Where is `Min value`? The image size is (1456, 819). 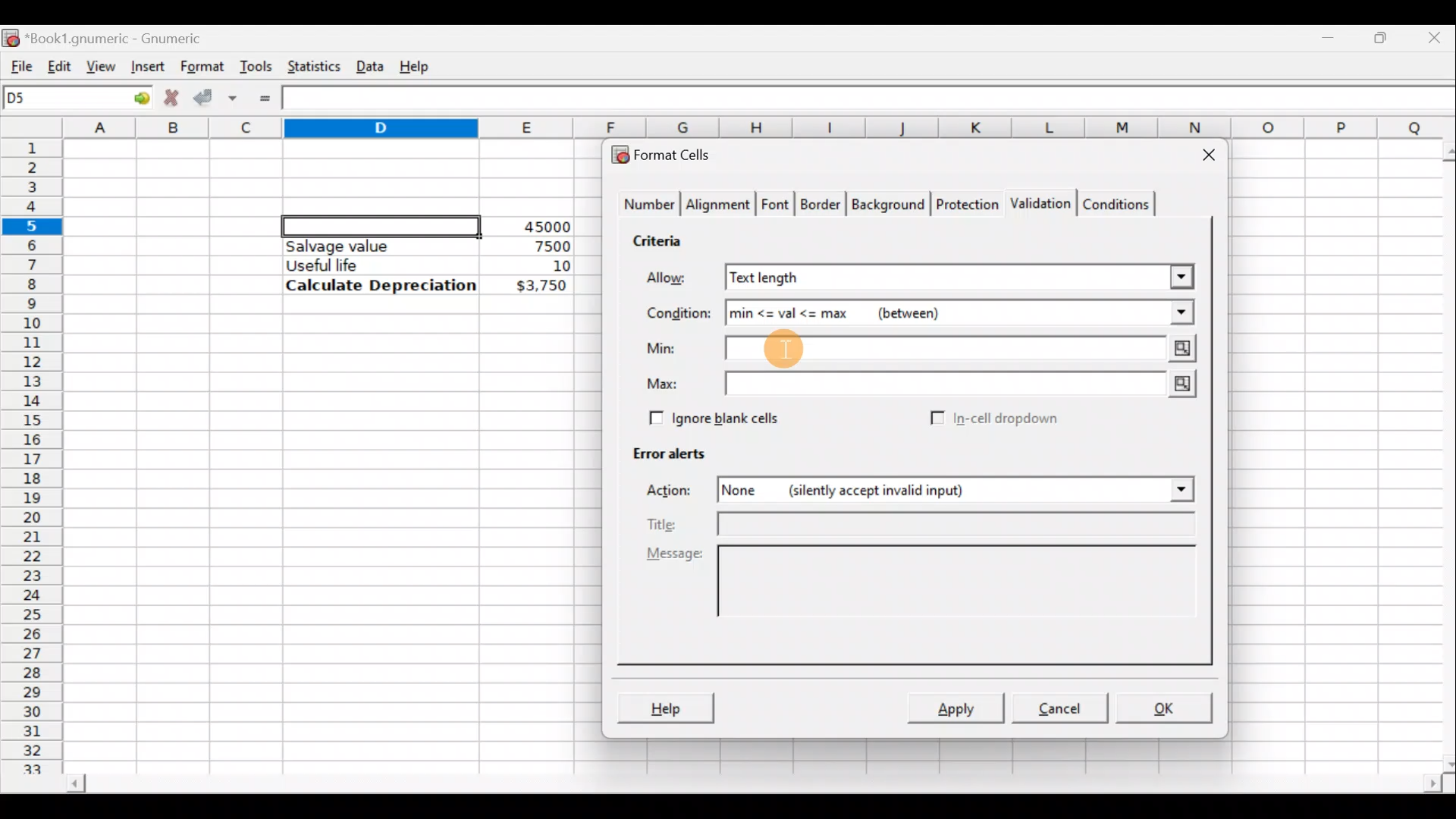
Min value is located at coordinates (963, 350).